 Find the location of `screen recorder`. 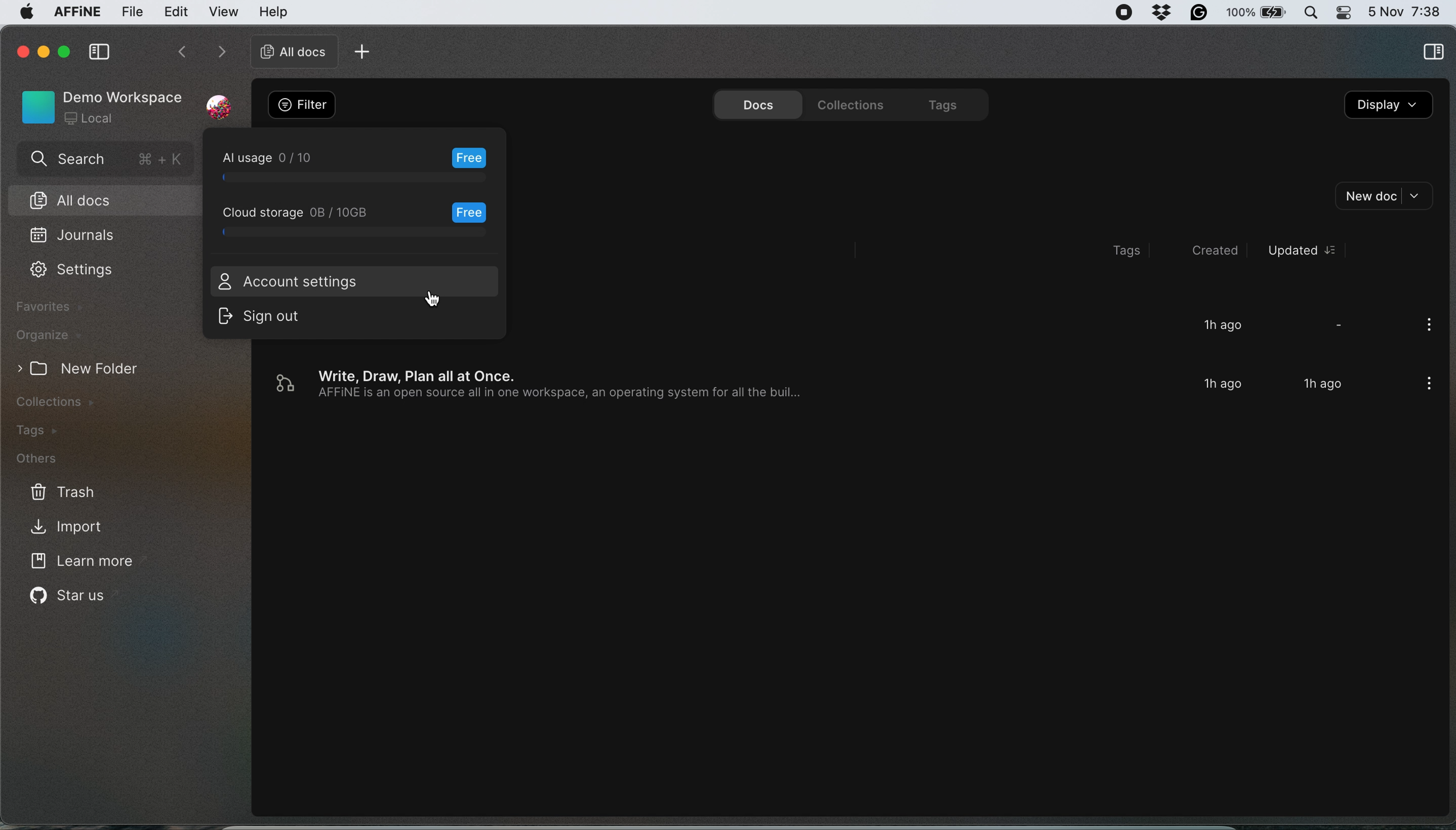

screen recorder is located at coordinates (1124, 13).